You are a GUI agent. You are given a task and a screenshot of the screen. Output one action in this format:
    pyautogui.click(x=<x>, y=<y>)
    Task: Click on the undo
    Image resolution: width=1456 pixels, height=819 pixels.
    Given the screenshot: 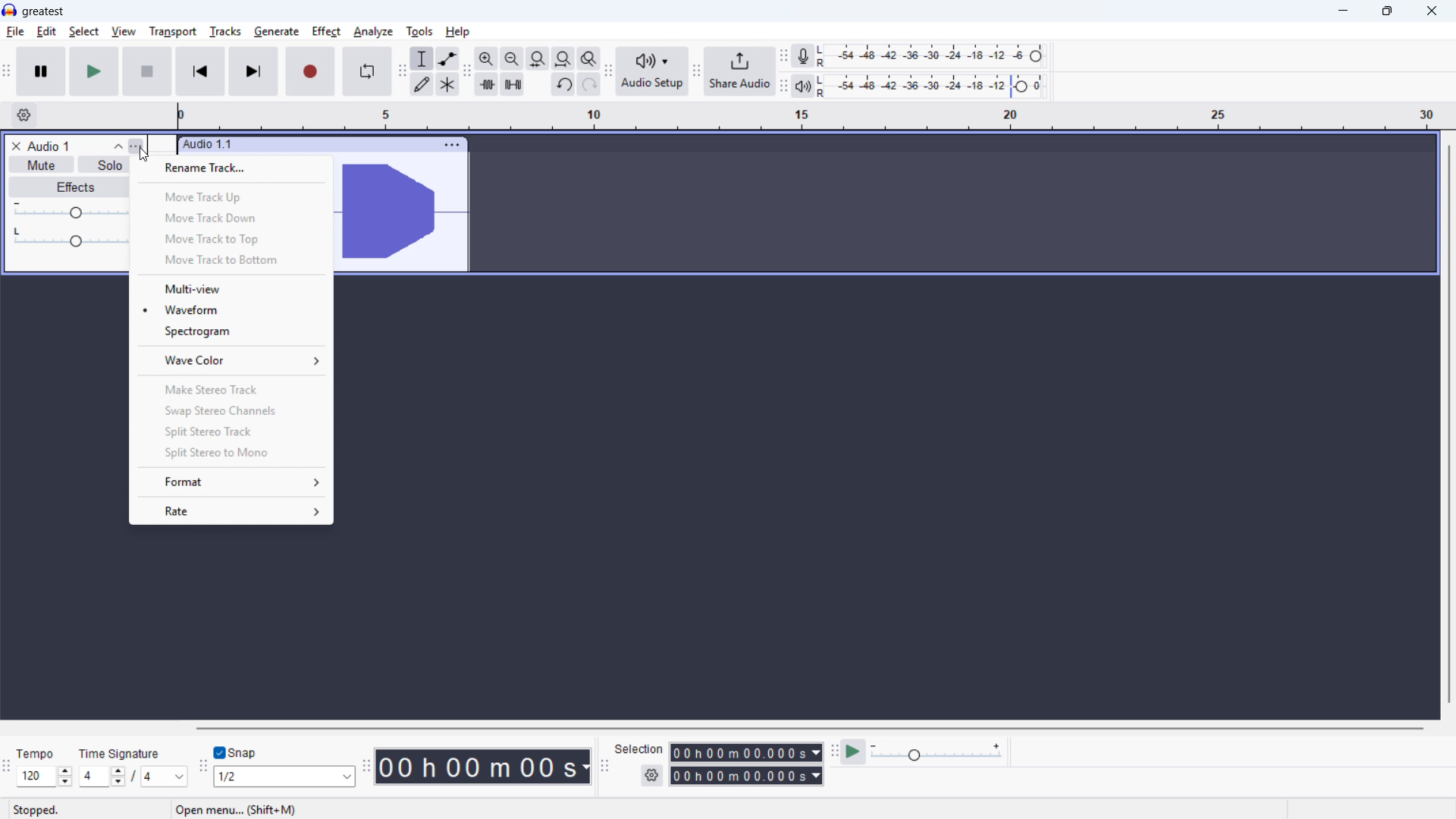 What is the action you would take?
    pyautogui.click(x=563, y=85)
    